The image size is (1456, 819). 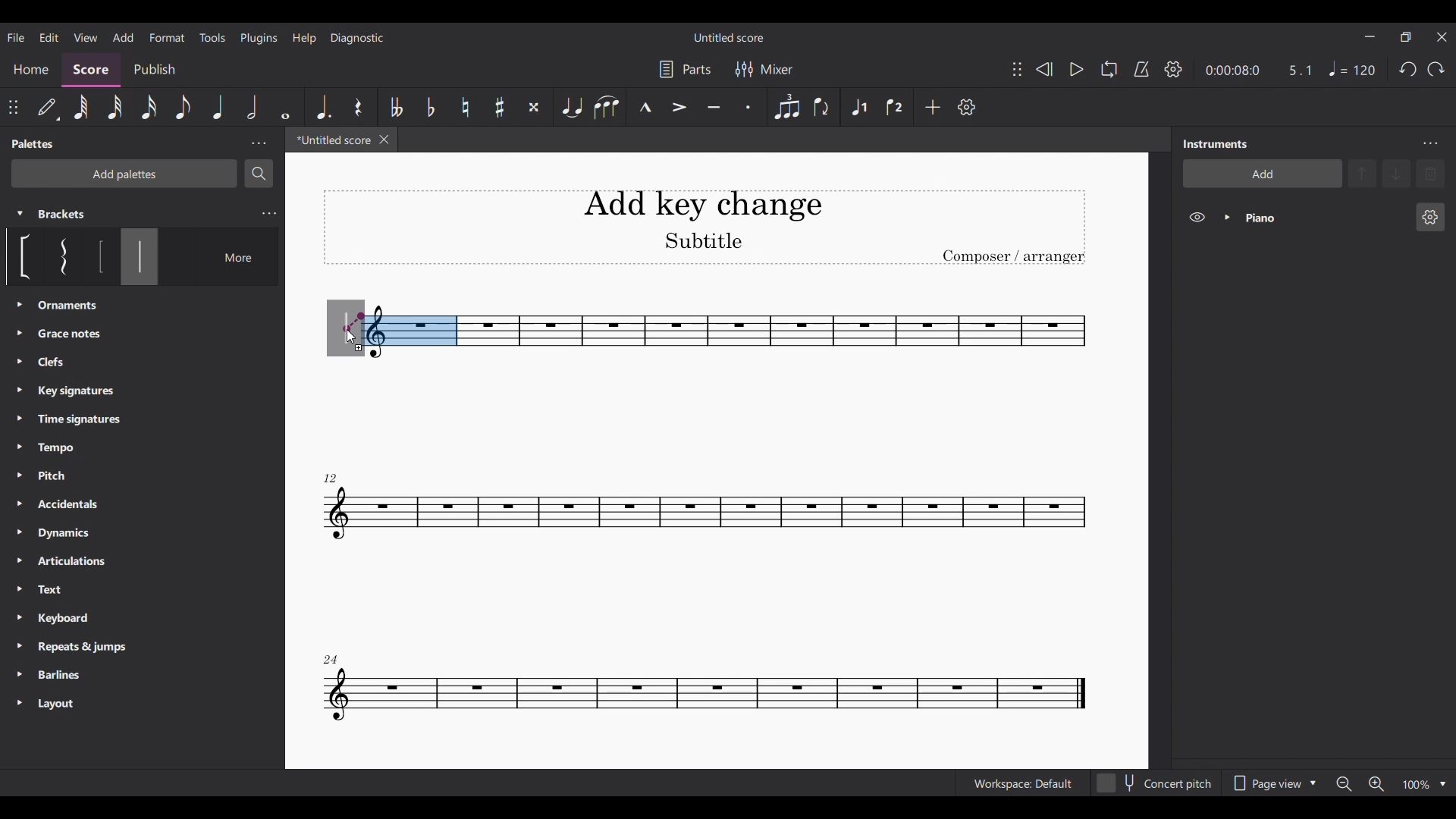 What do you see at coordinates (1228, 217) in the screenshot?
I see `Expand` at bounding box center [1228, 217].